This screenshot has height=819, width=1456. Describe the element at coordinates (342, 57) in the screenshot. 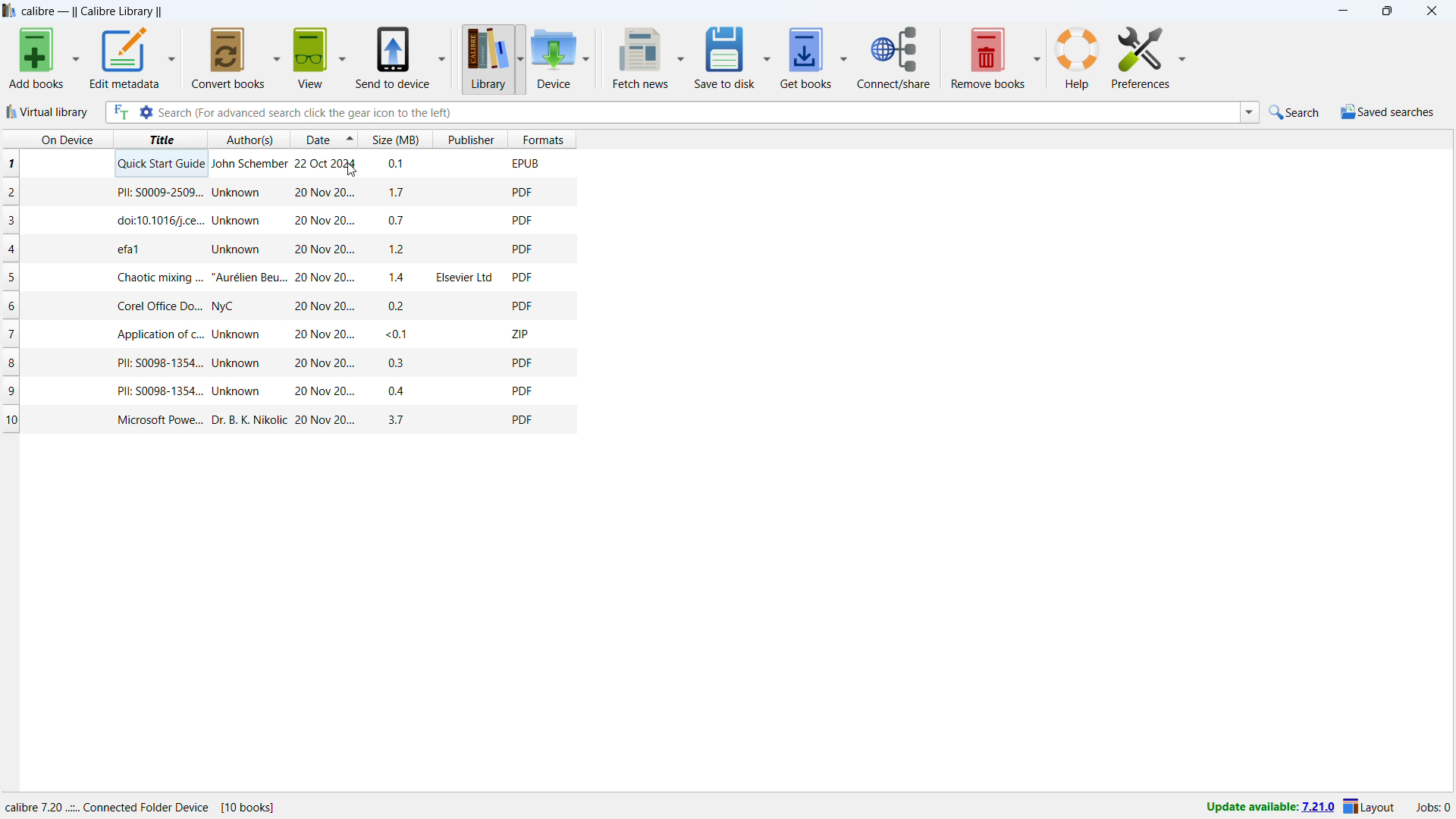

I see `view options` at that location.